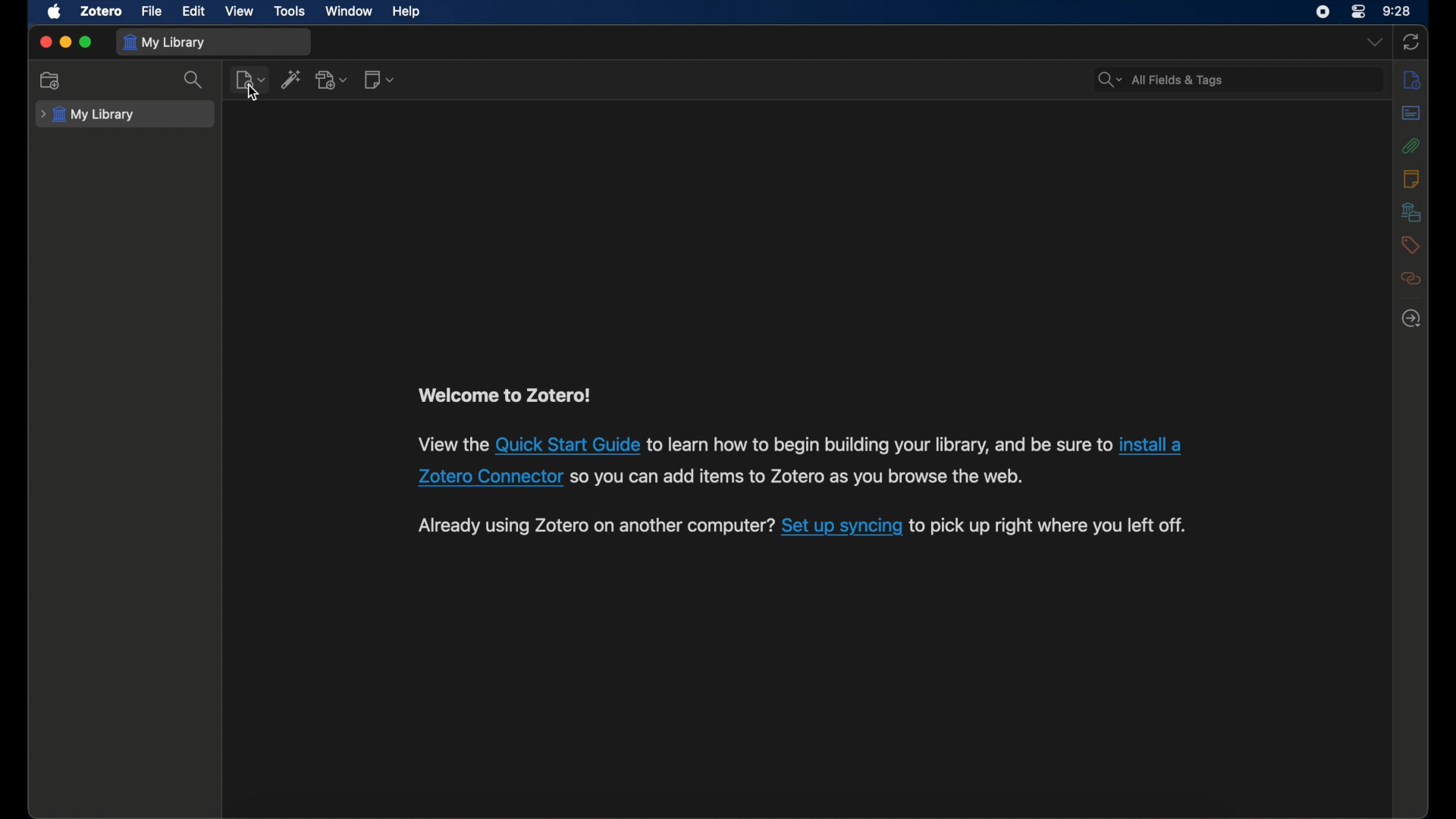 Image resolution: width=1456 pixels, height=819 pixels. What do you see at coordinates (1411, 113) in the screenshot?
I see `abstract` at bounding box center [1411, 113].